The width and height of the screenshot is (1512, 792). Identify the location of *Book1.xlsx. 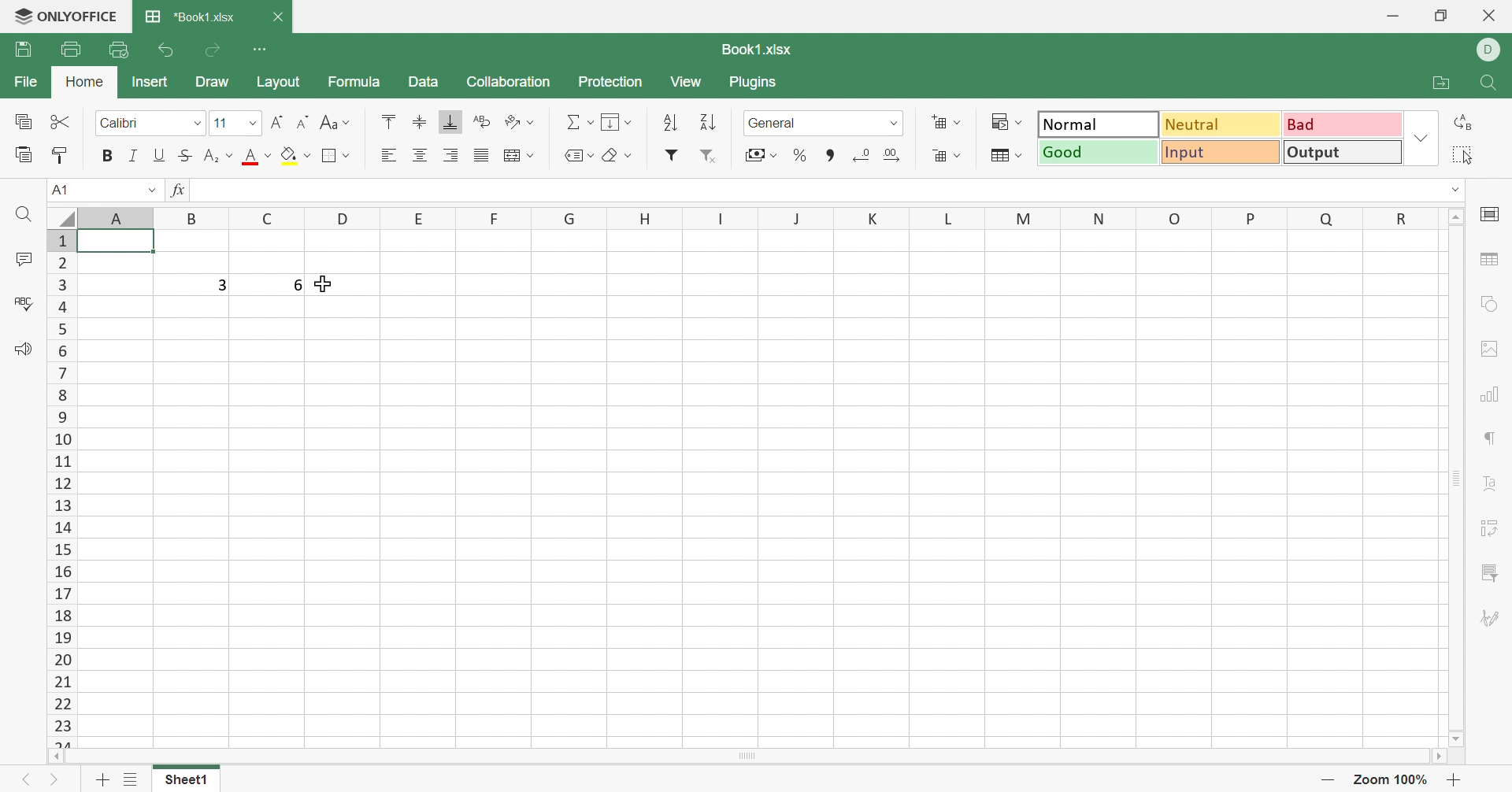
(194, 17).